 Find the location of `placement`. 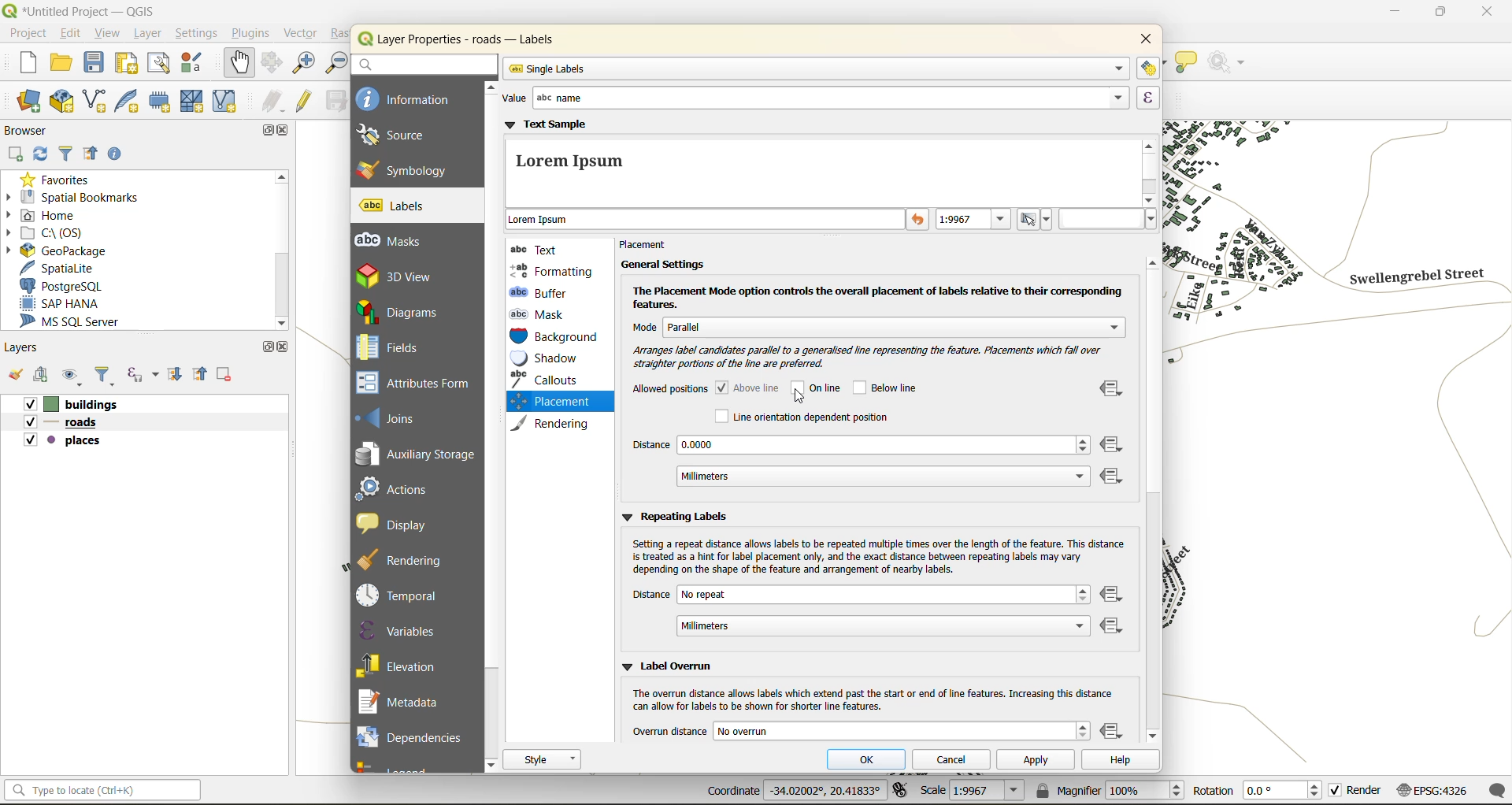

placement is located at coordinates (649, 246).